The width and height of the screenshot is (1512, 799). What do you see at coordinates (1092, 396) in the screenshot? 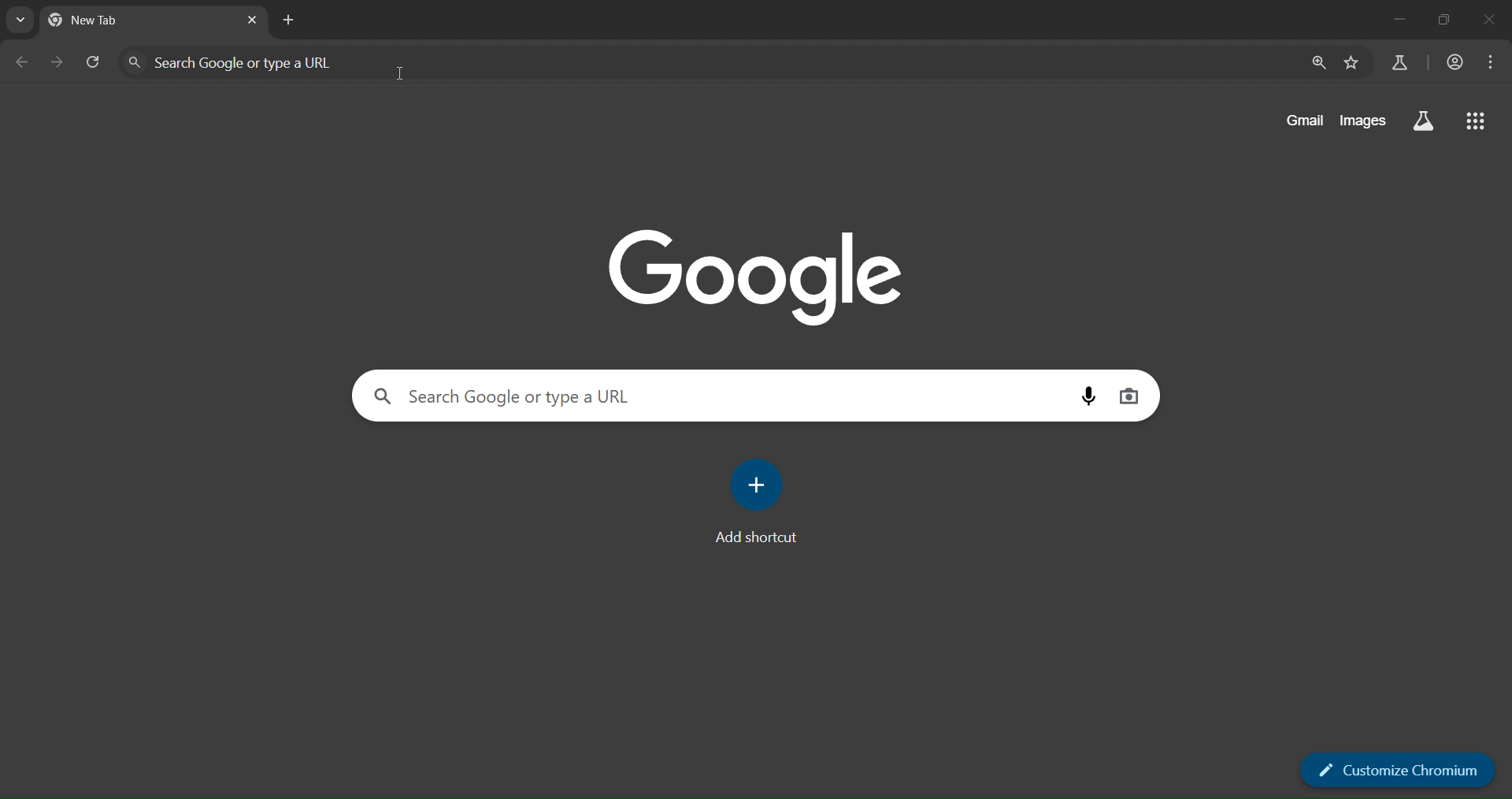
I see `voice search` at bounding box center [1092, 396].